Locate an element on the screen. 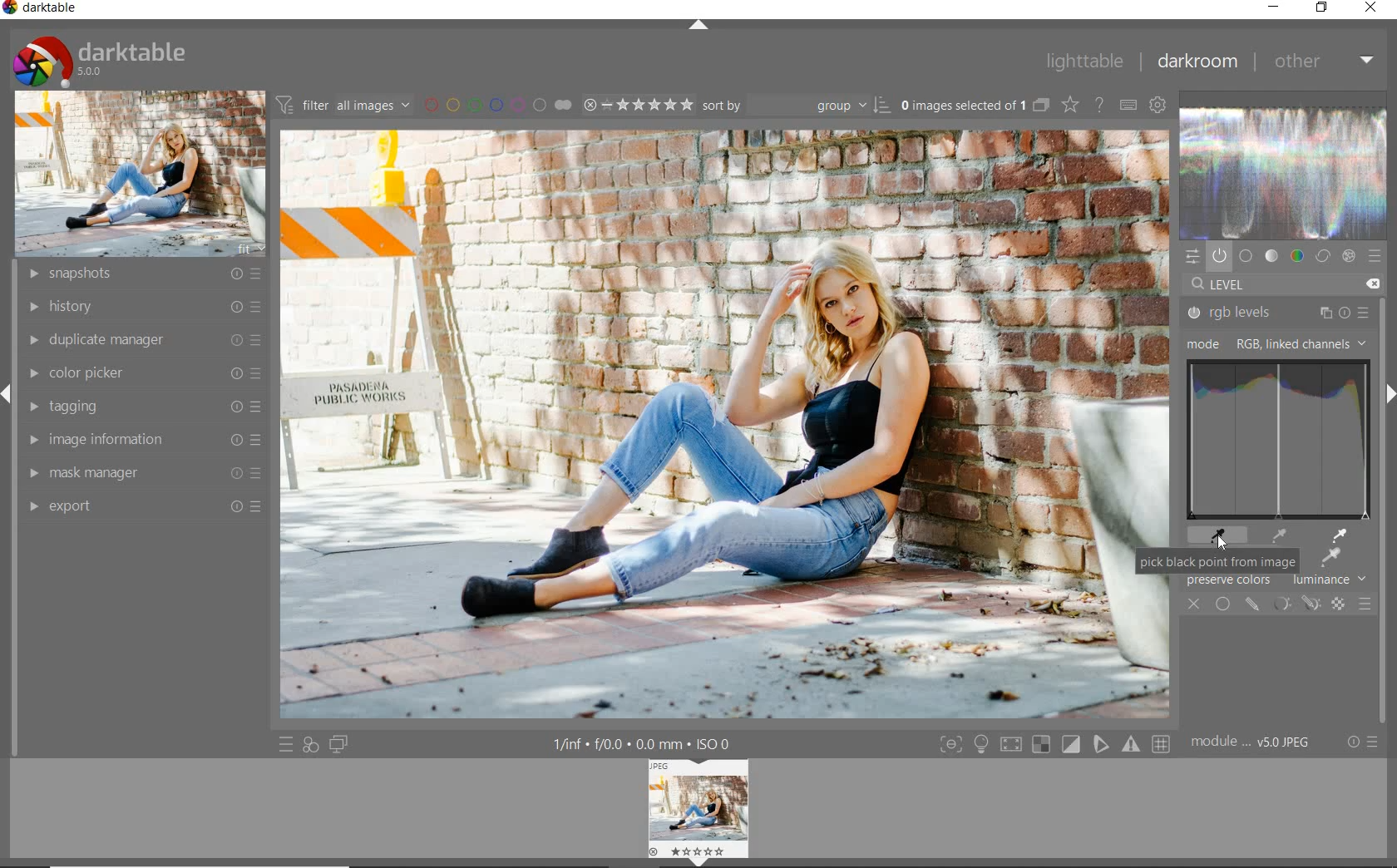 The height and width of the screenshot is (868, 1397). tone is located at coordinates (1272, 254).